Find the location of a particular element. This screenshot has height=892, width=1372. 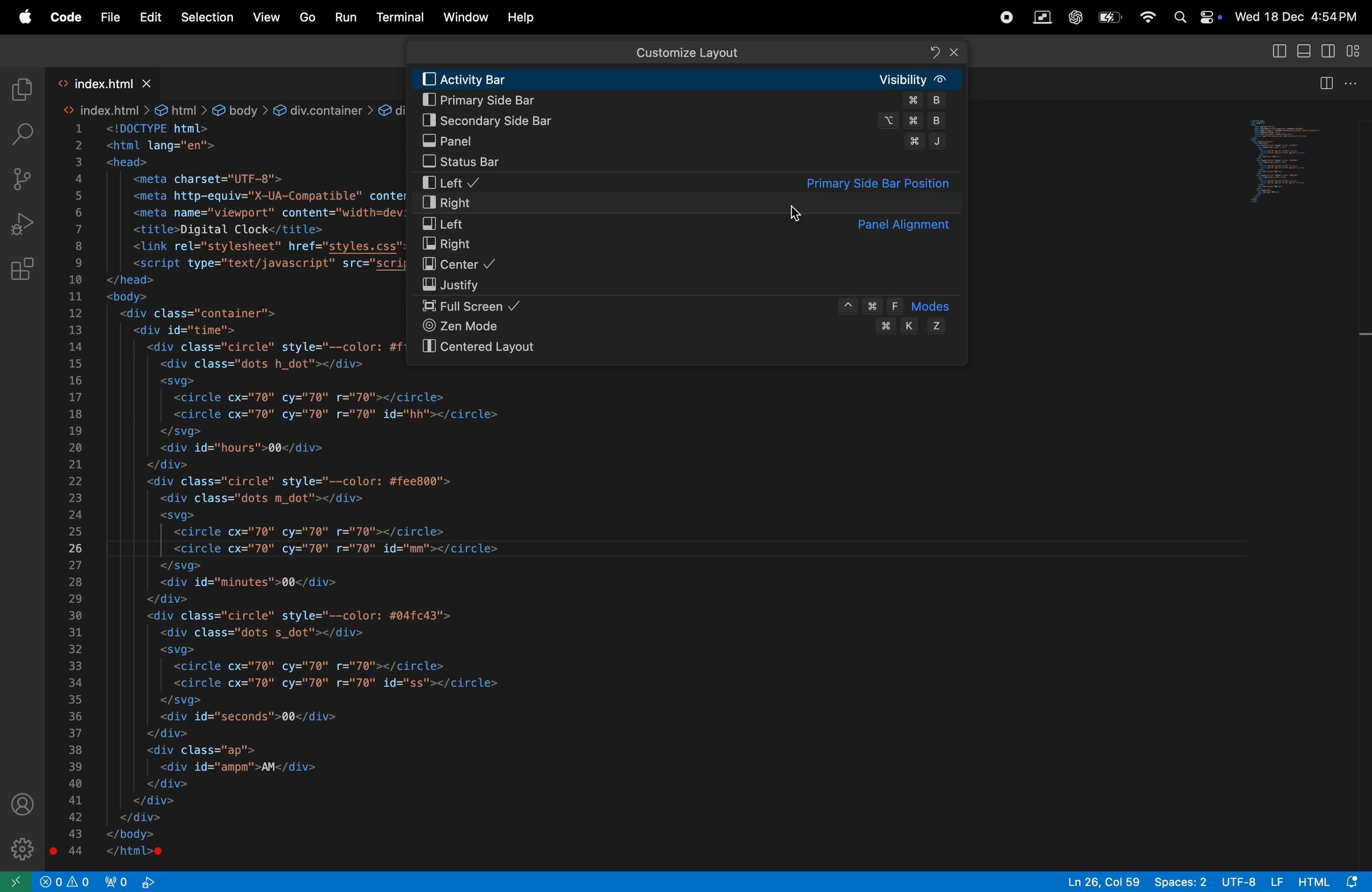

Window is located at coordinates (462, 17).